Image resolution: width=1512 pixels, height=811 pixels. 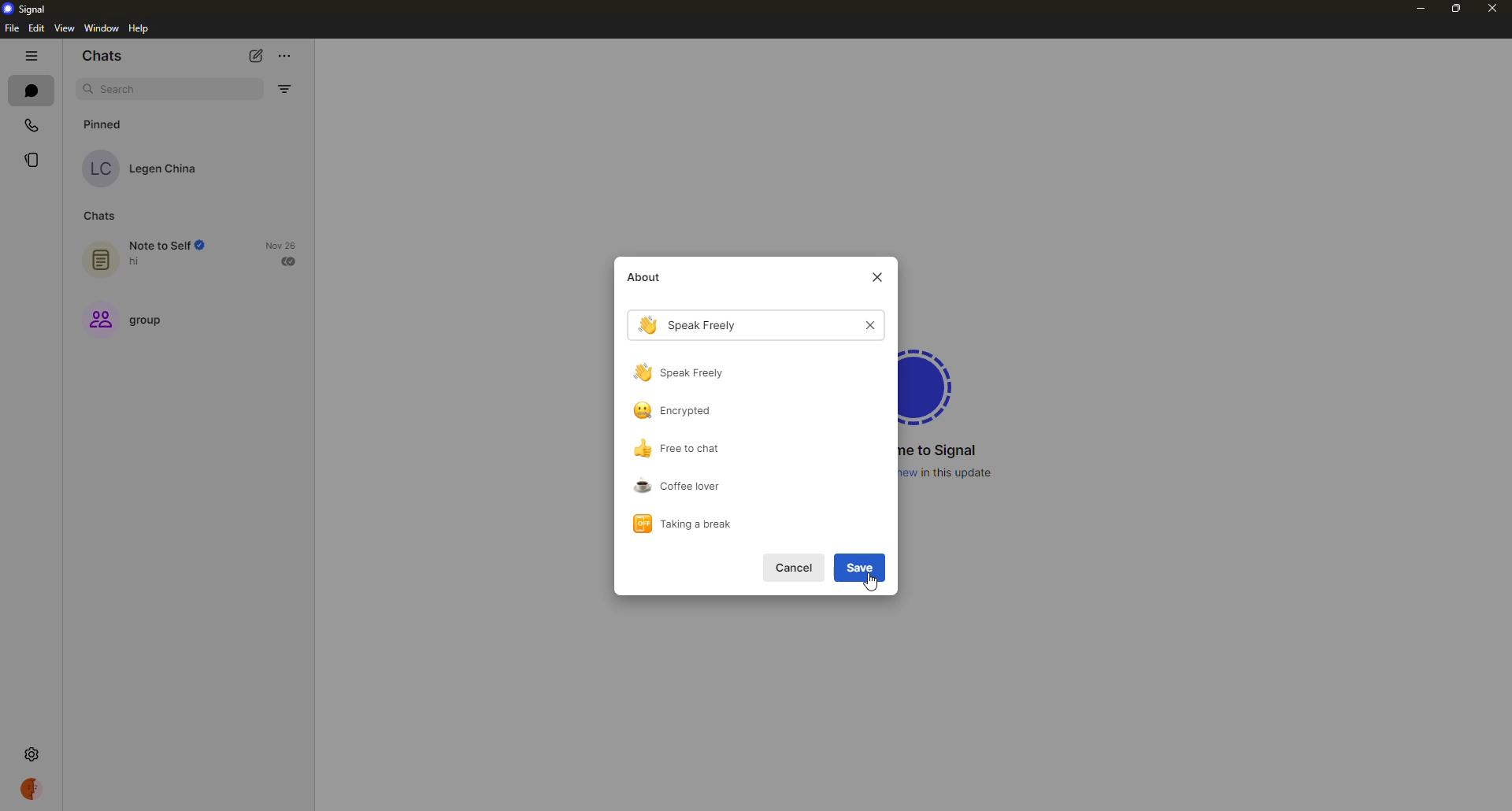 I want to click on calls, so click(x=34, y=124).